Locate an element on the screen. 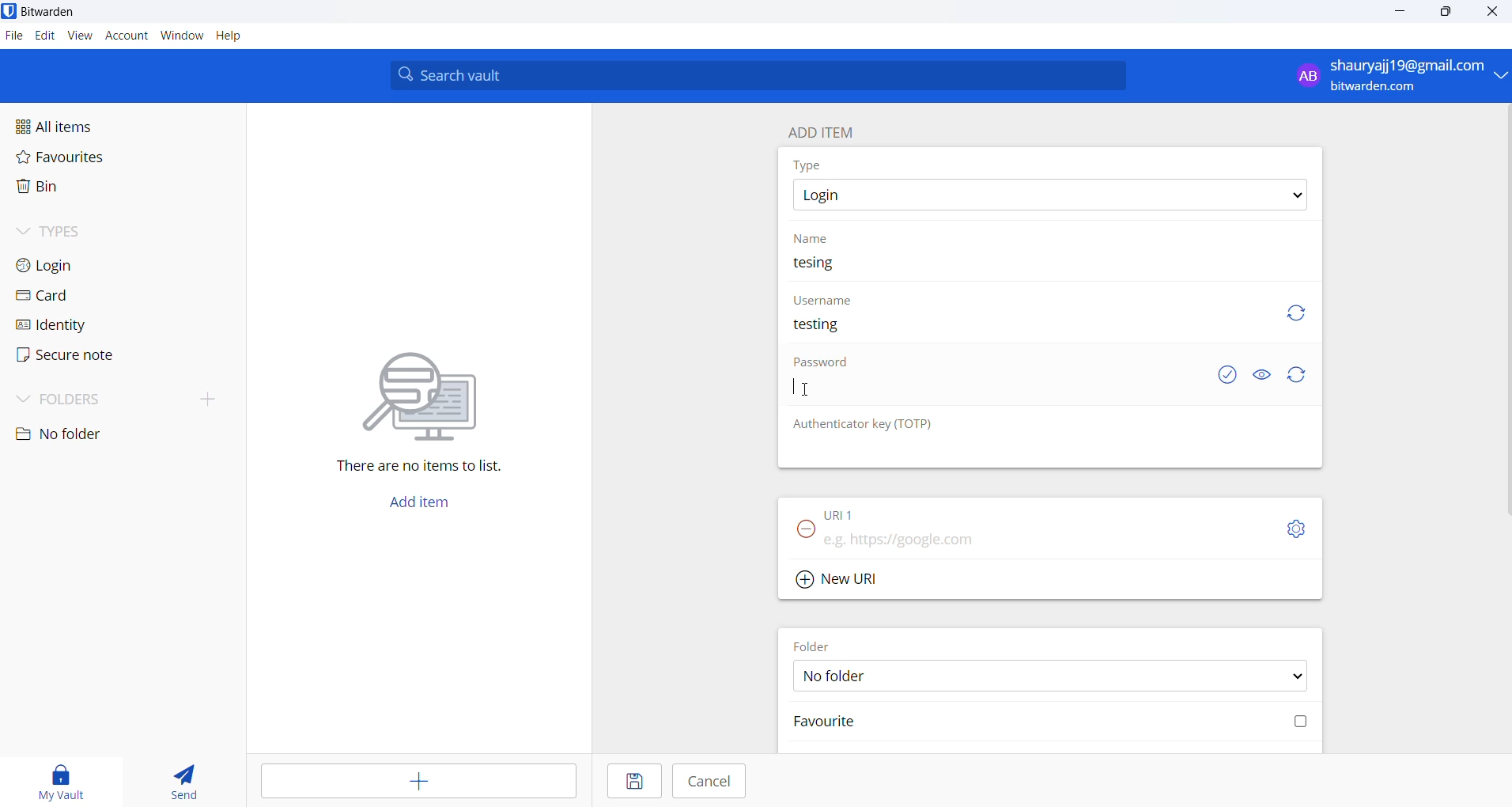 This screenshot has width=1512, height=807. file is located at coordinates (13, 36).